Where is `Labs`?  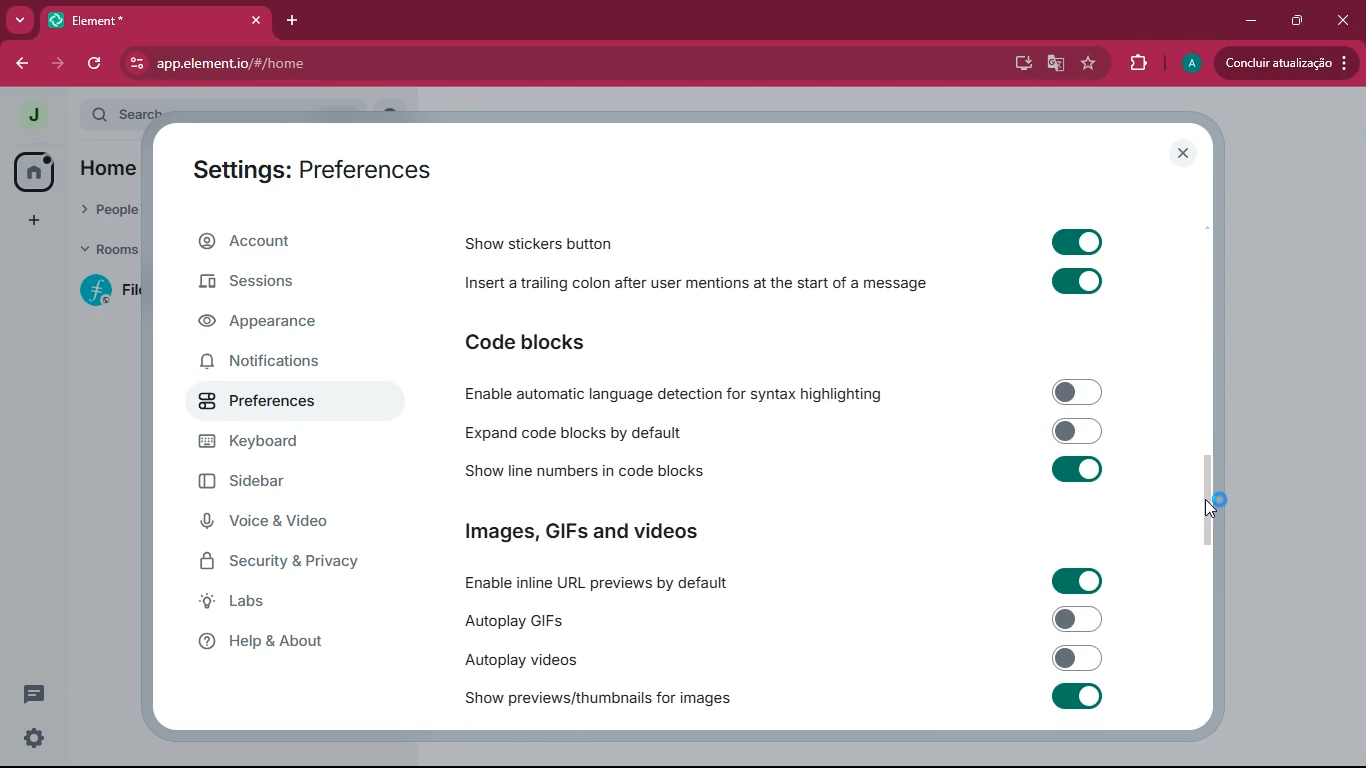 Labs is located at coordinates (282, 601).